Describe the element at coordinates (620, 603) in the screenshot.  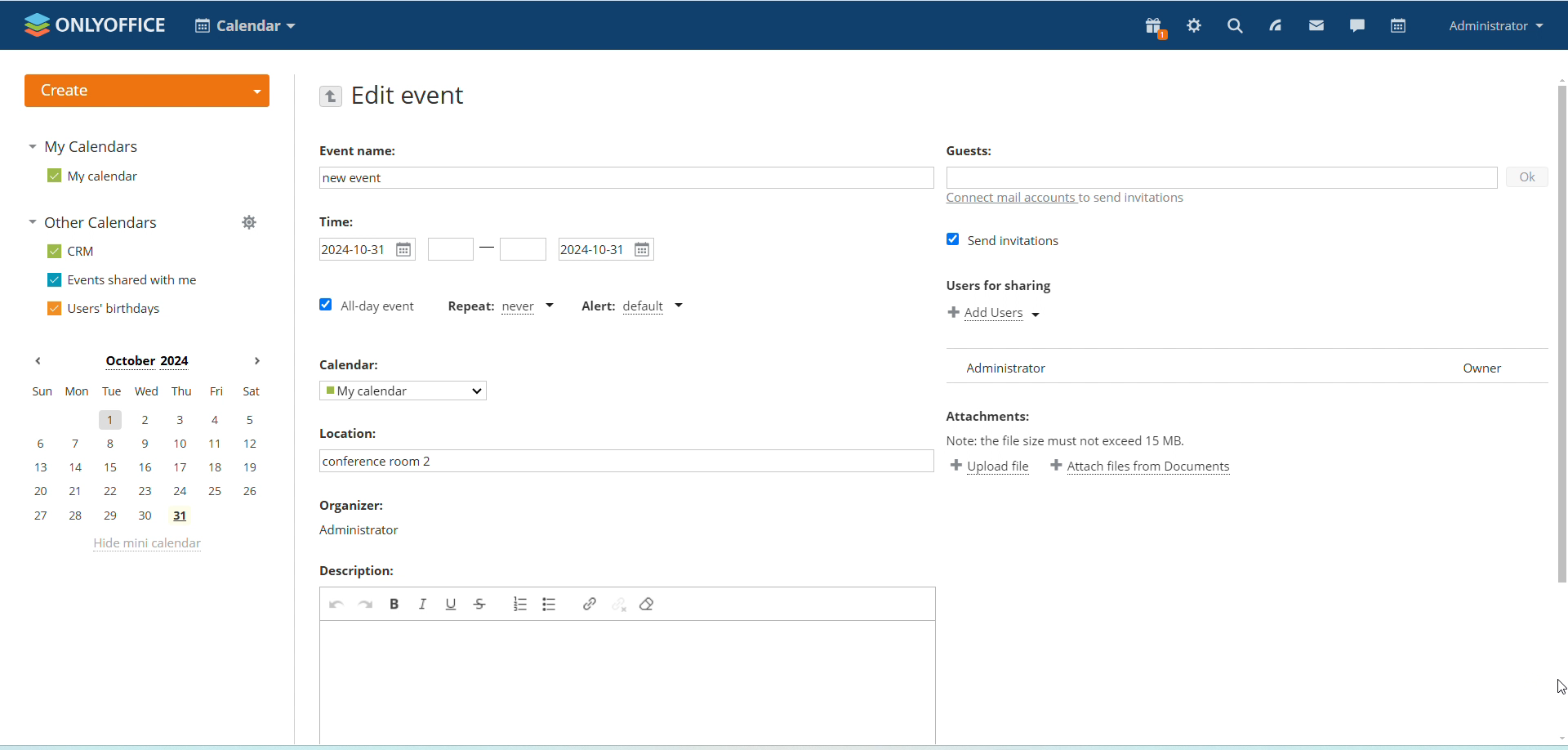
I see `unlink` at that location.